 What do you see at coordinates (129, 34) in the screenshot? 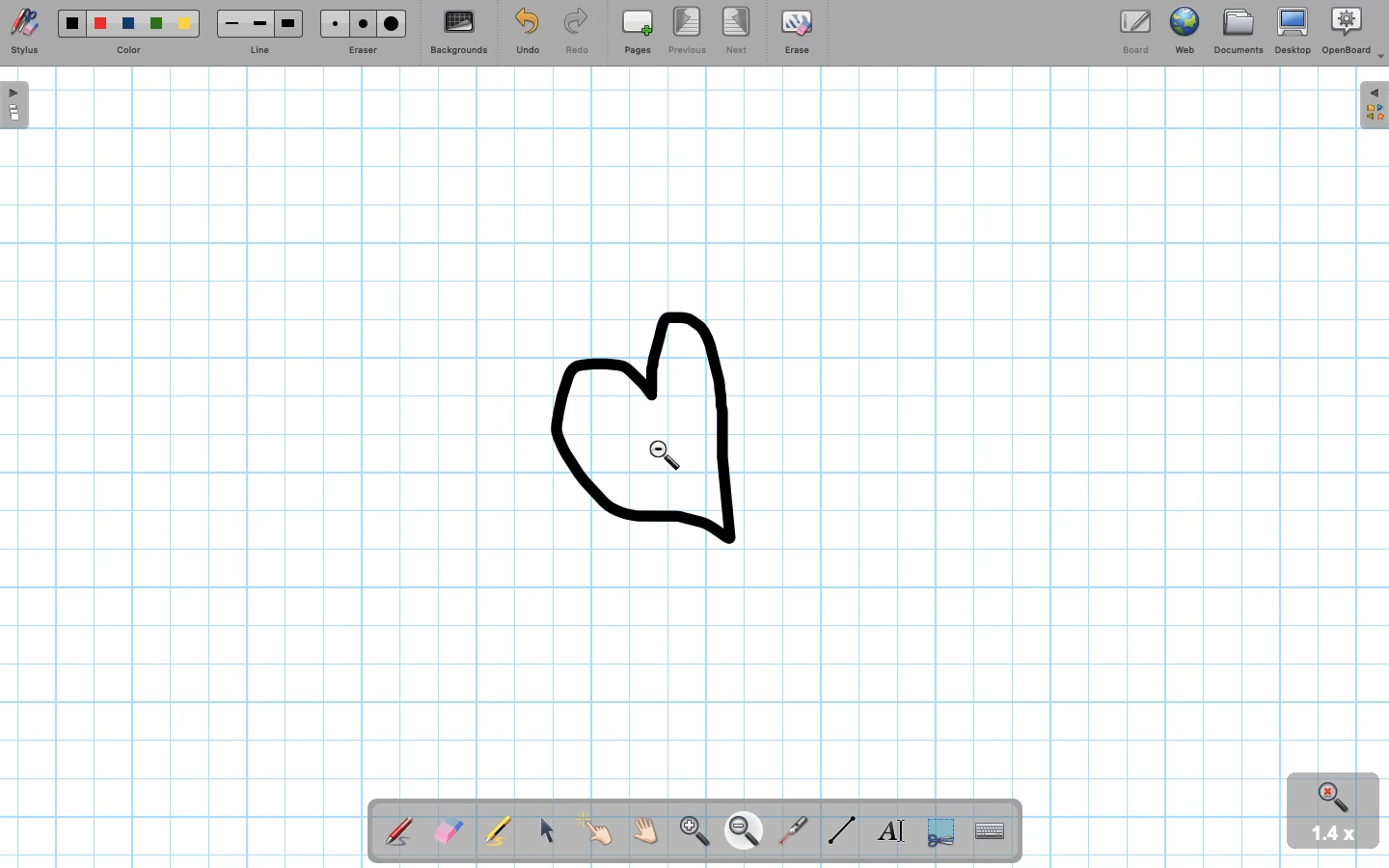
I see `Color` at bounding box center [129, 34].